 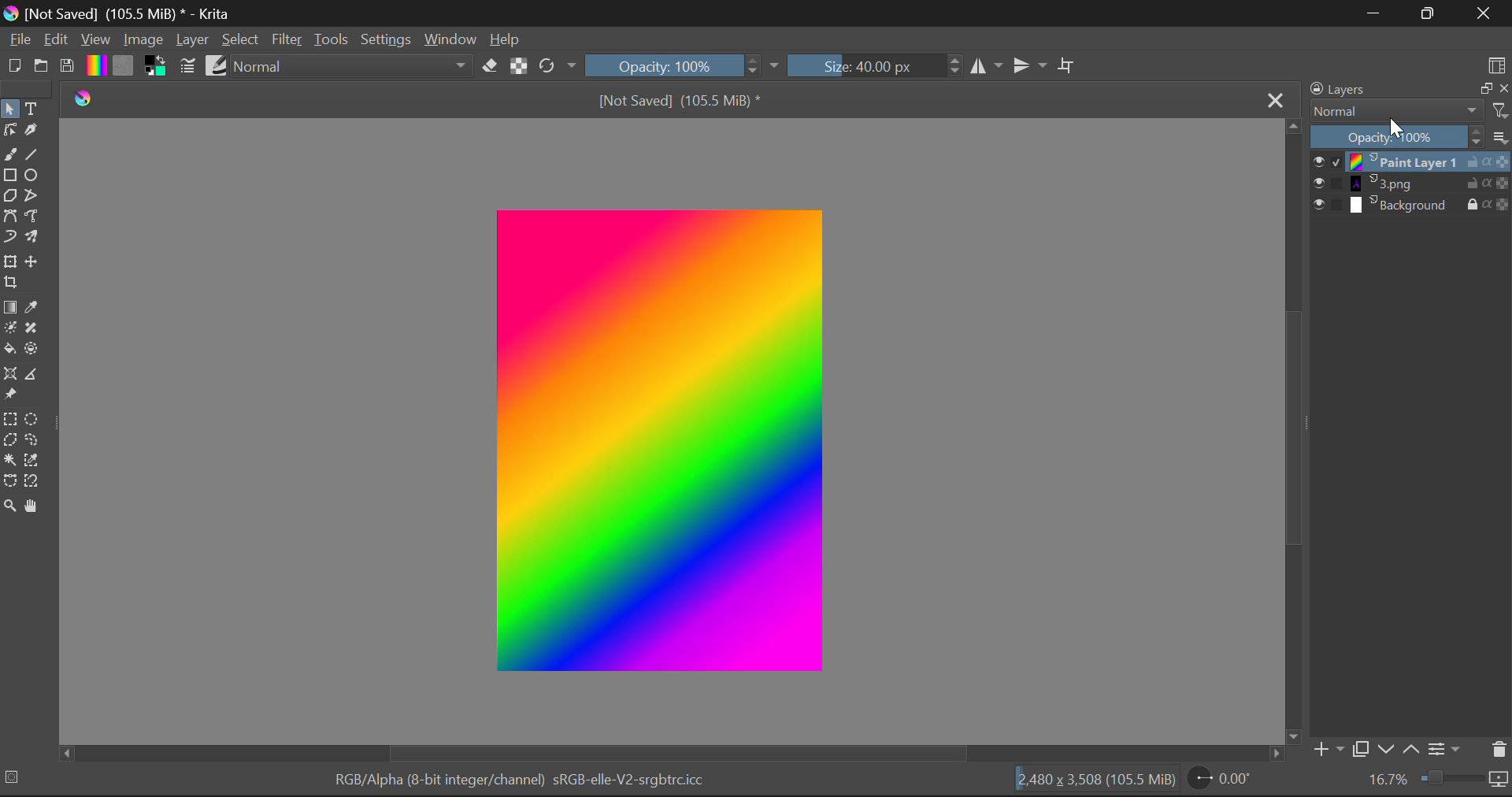 What do you see at coordinates (1478, 183) in the screenshot?
I see `lock layer` at bounding box center [1478, 183].